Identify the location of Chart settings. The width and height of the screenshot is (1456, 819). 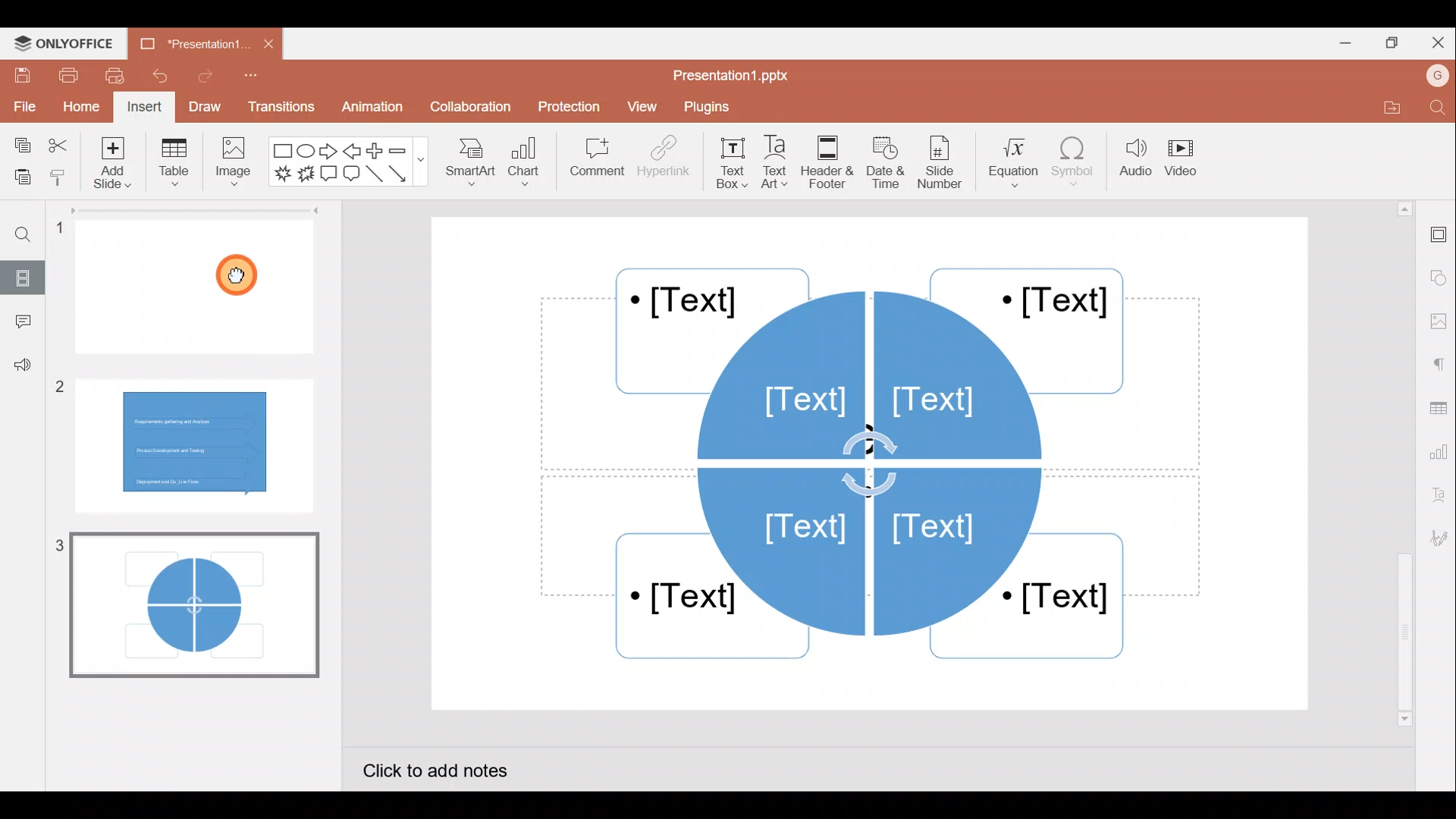
(1441, 454).